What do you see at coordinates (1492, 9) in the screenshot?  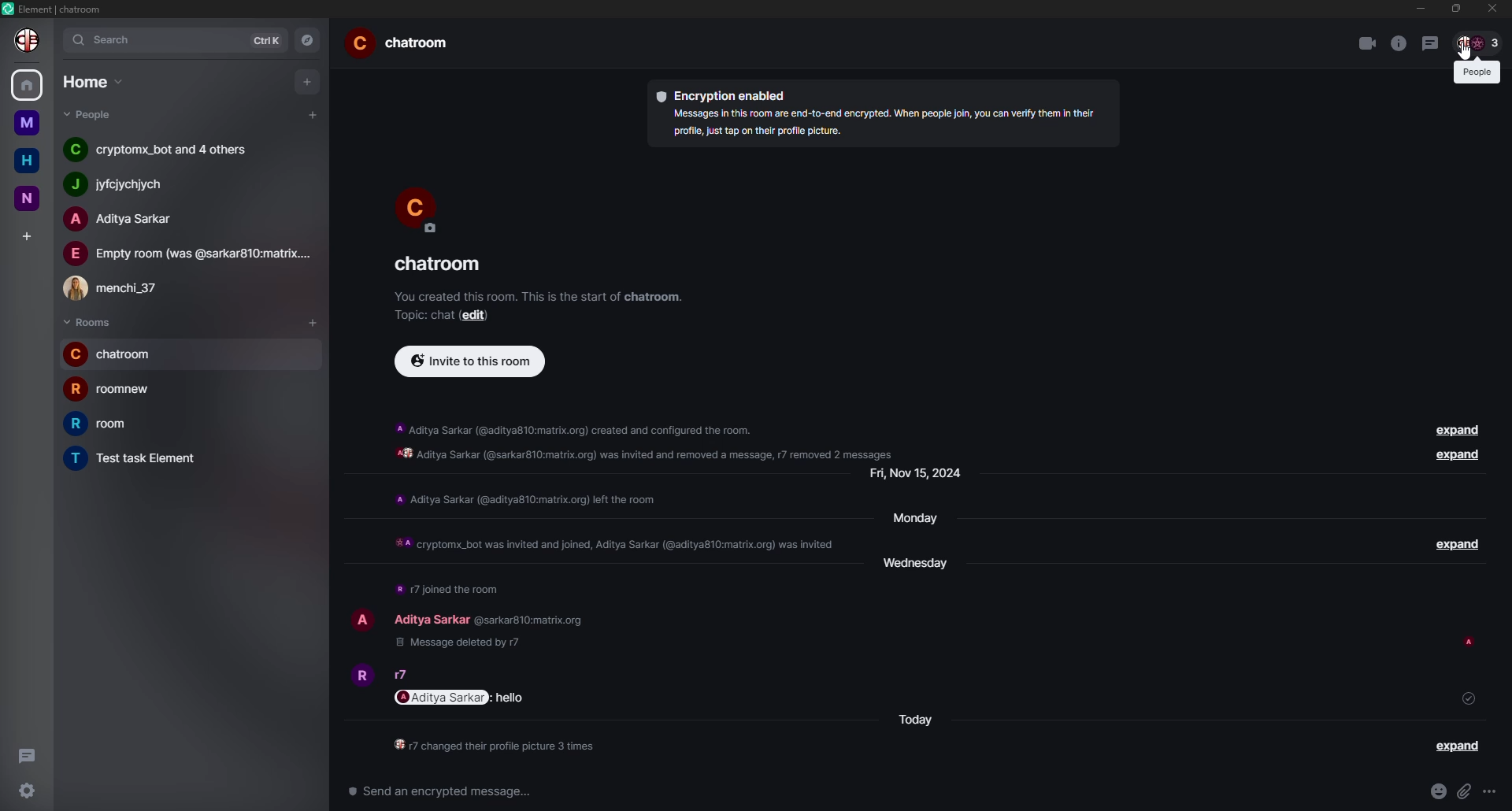 I see `close` at bounding box center [1492, 9].